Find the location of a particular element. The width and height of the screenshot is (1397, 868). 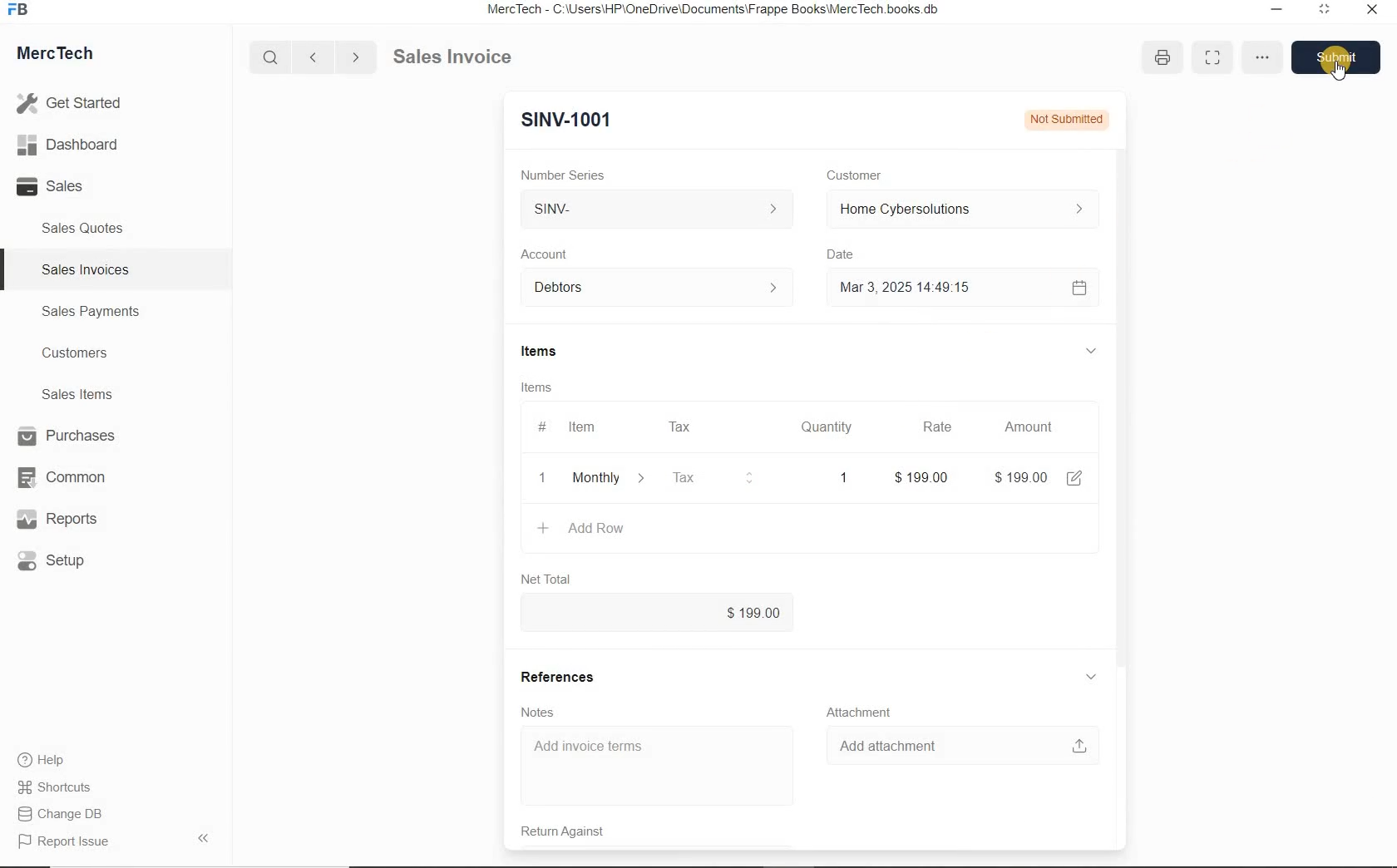

Report Issue is located at coordinates (67, 842).